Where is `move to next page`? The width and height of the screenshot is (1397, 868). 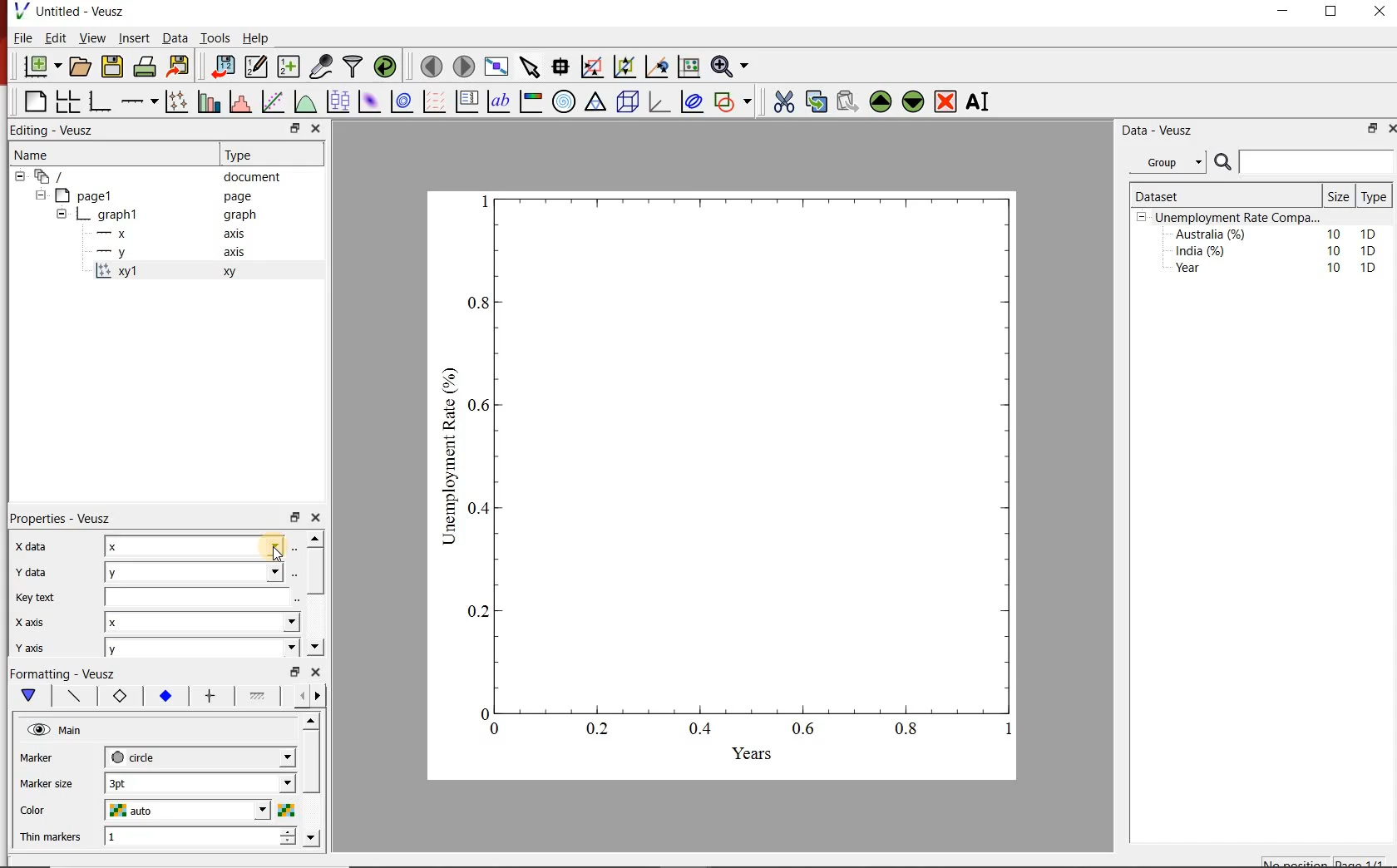
move to next page is located at coordinates (465, 67).